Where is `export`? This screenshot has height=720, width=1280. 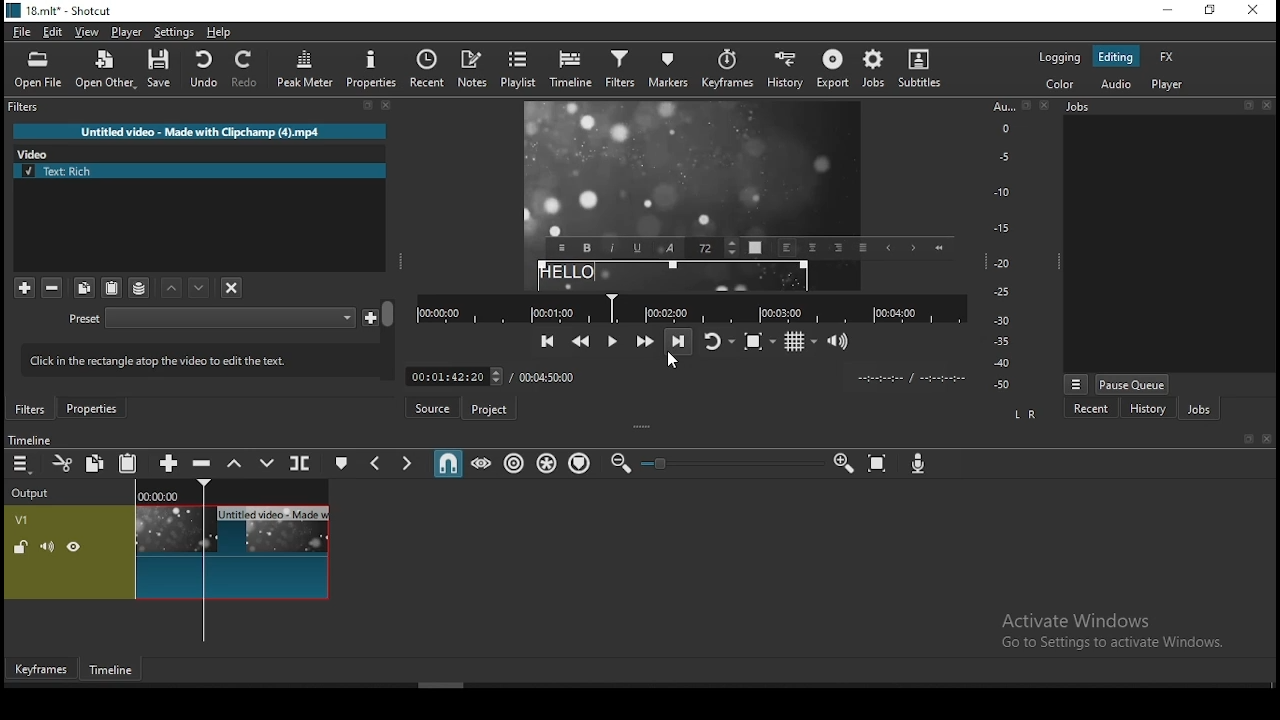 export is located at coordinates (831, 72).